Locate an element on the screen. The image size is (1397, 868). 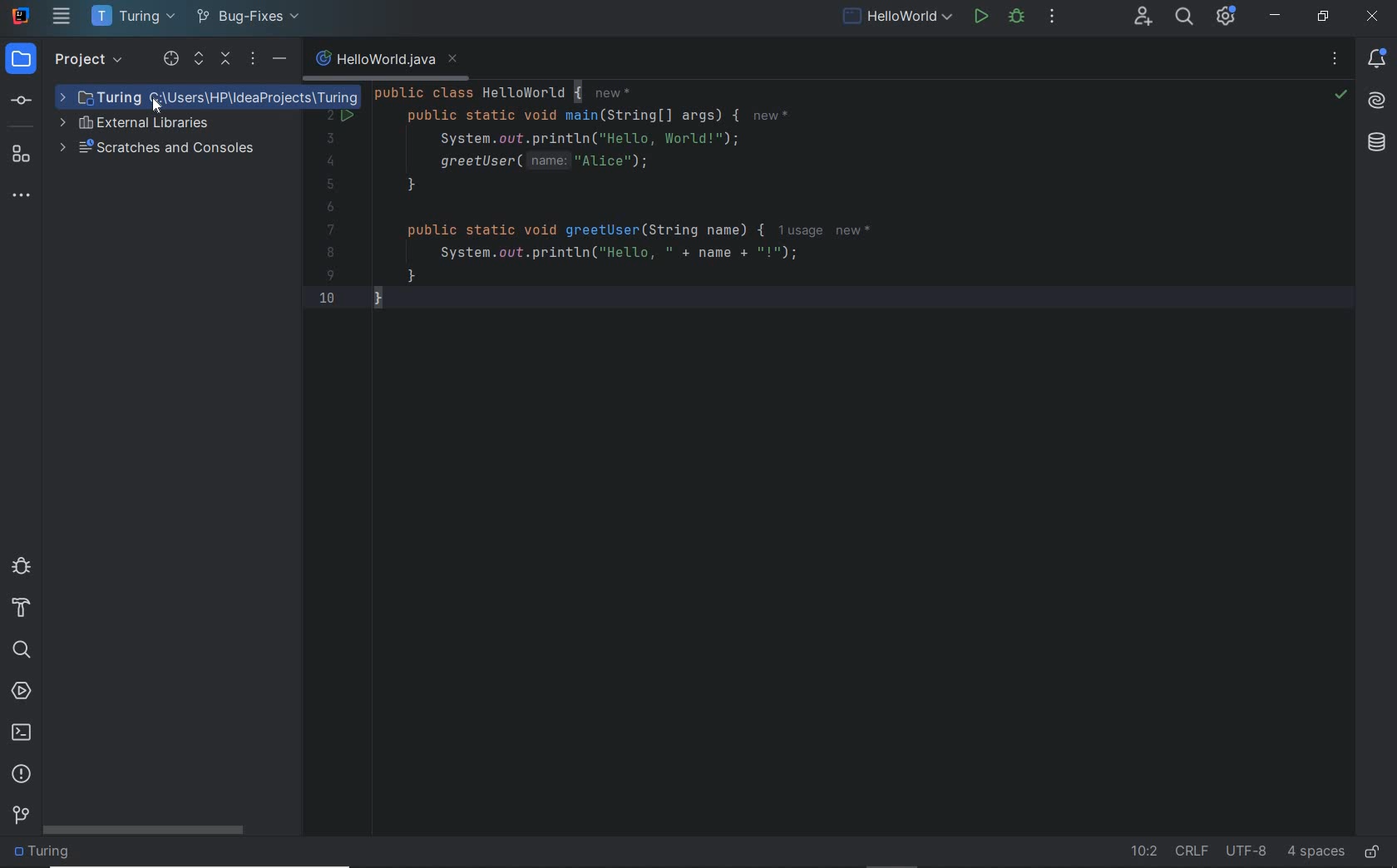
build is located at coordinates (21, 609).